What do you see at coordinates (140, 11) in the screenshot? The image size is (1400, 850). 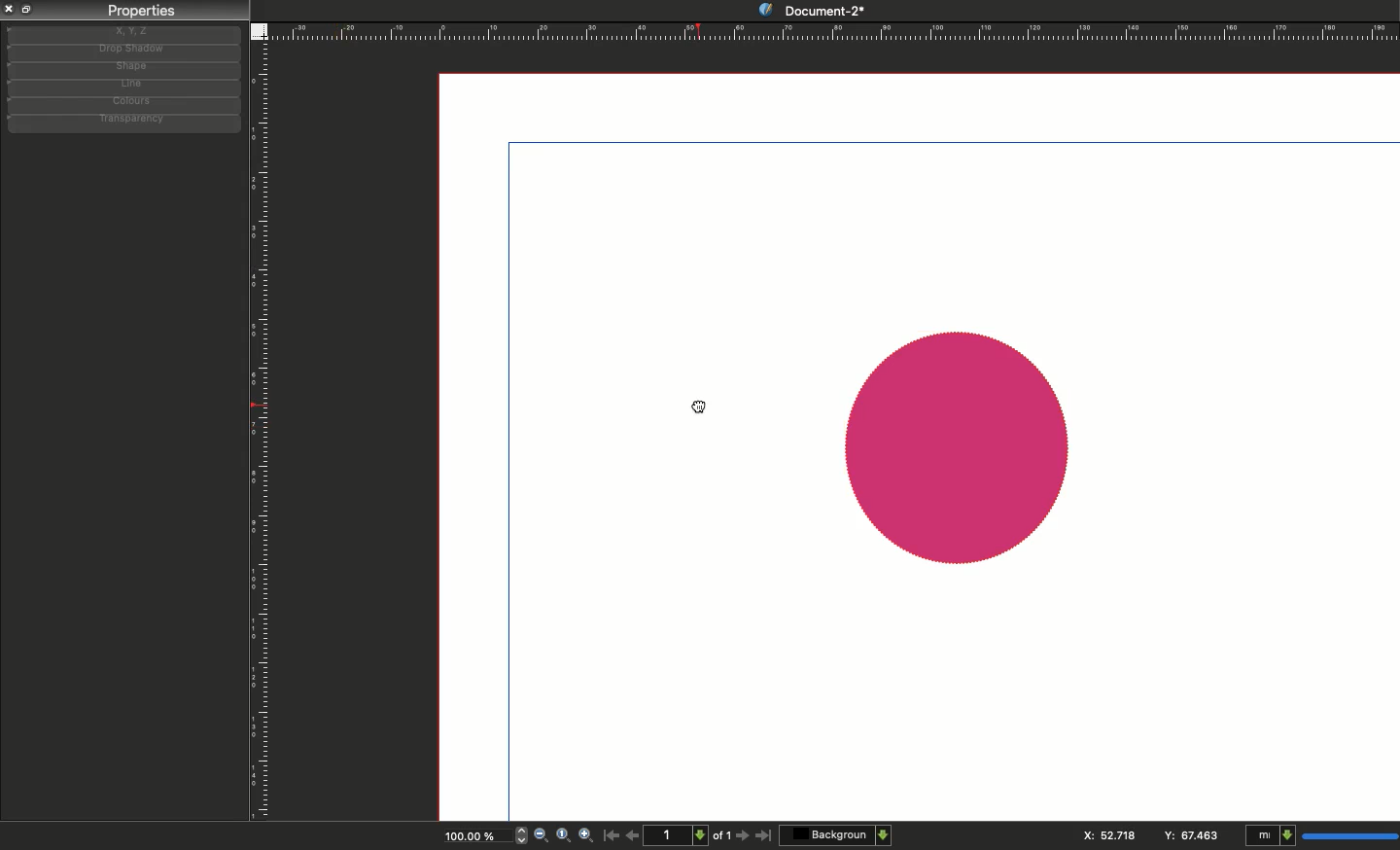 I see `Properties` at bounding box center [140, 11].